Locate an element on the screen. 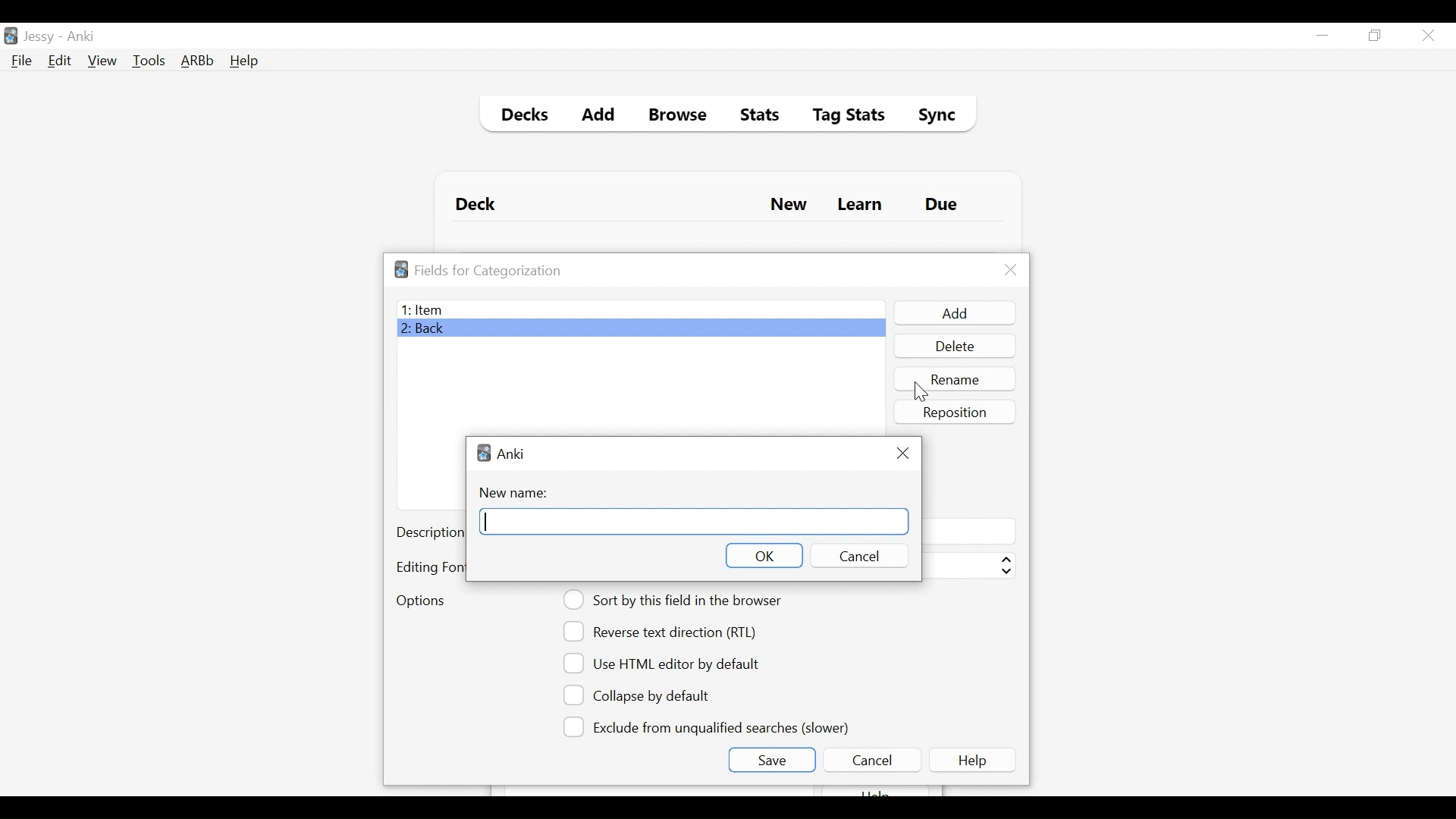 Image resolution: width=1456 pixels, height=819 pixels. OK is located at coordinates (763, 555).